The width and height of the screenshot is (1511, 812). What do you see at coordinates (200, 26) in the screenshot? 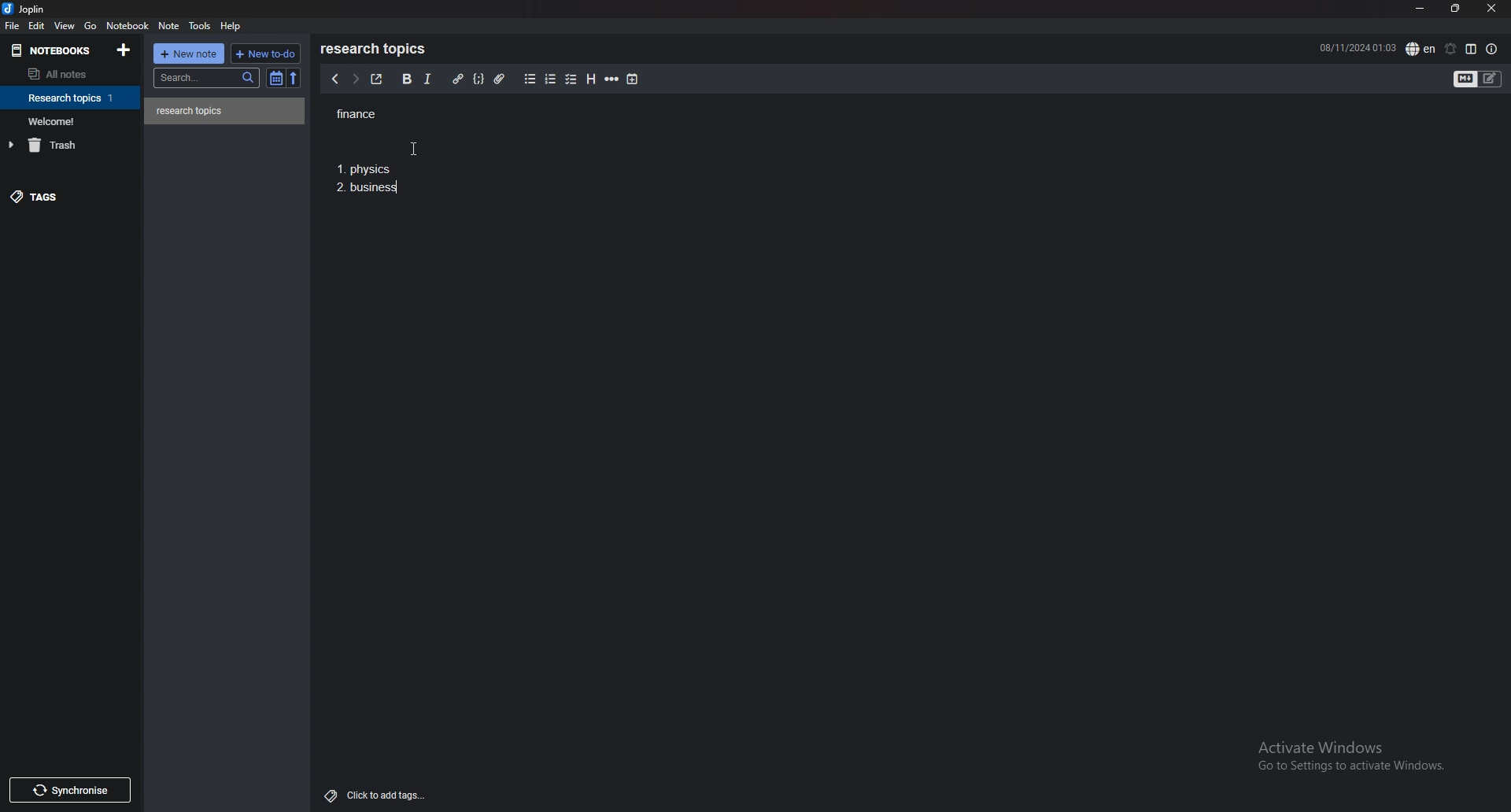
I see `tools` at bounding box center [200, 26].